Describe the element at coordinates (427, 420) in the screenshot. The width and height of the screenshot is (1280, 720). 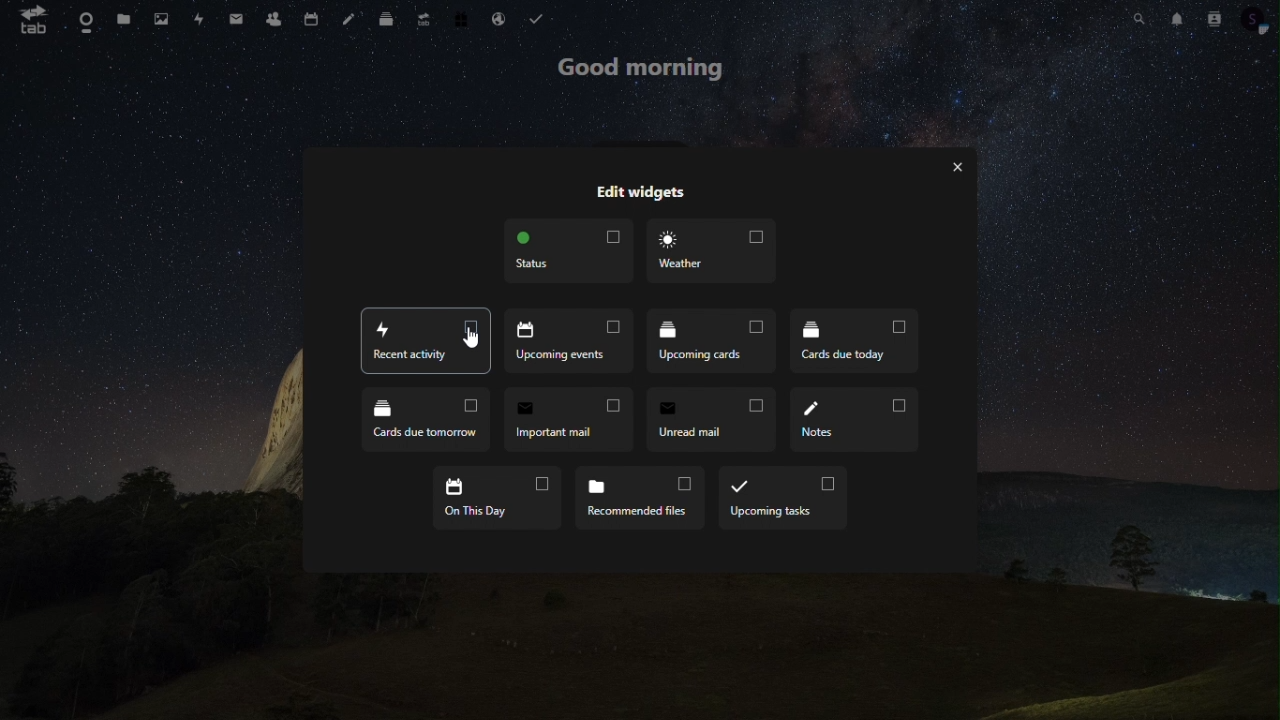
I see `cards due tomarrow` at that location.